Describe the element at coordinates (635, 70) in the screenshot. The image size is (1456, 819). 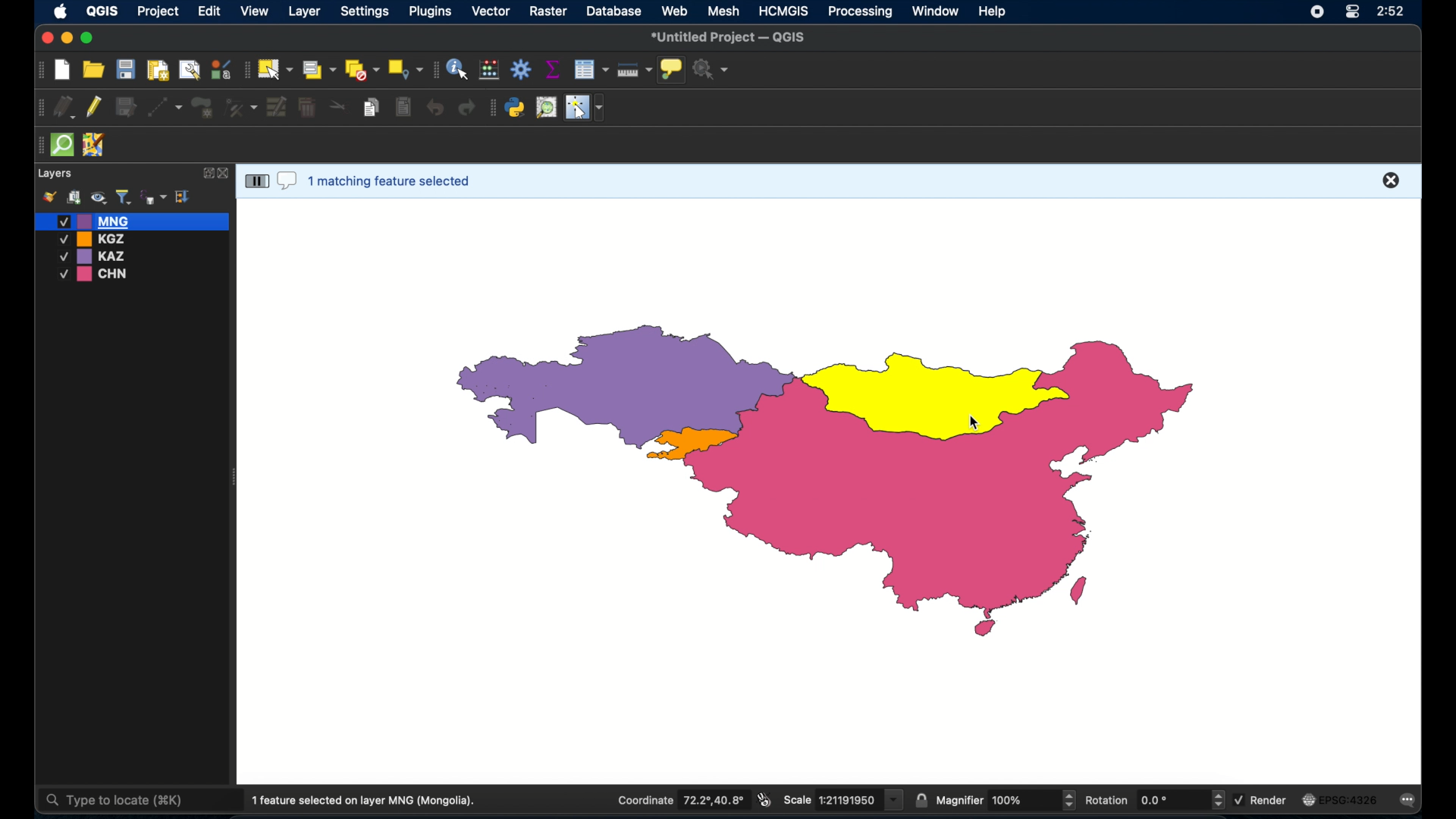
I see `measure line` at that location.